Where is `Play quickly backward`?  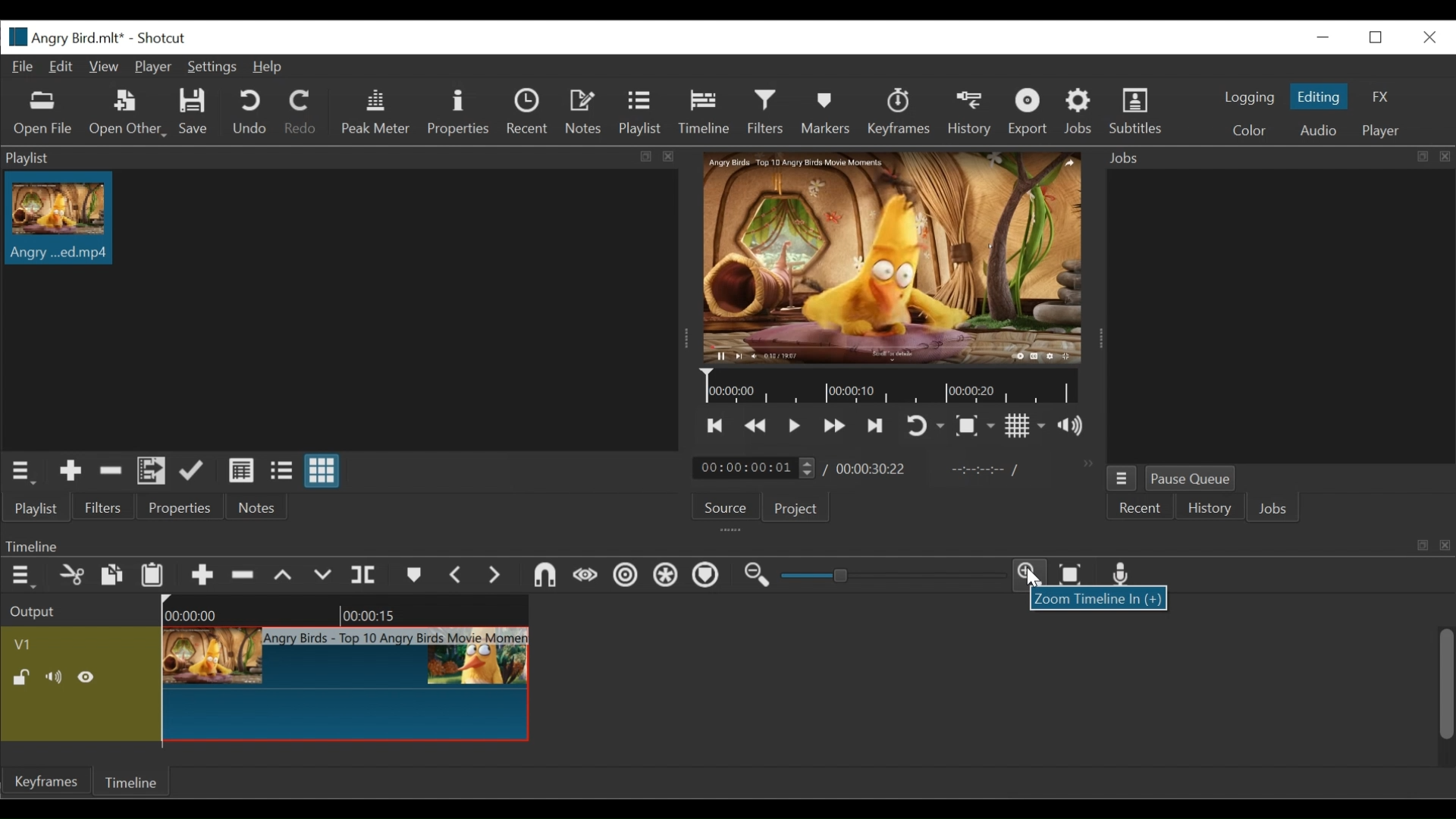
Play quickly backward is located at coordinates (758, 426).